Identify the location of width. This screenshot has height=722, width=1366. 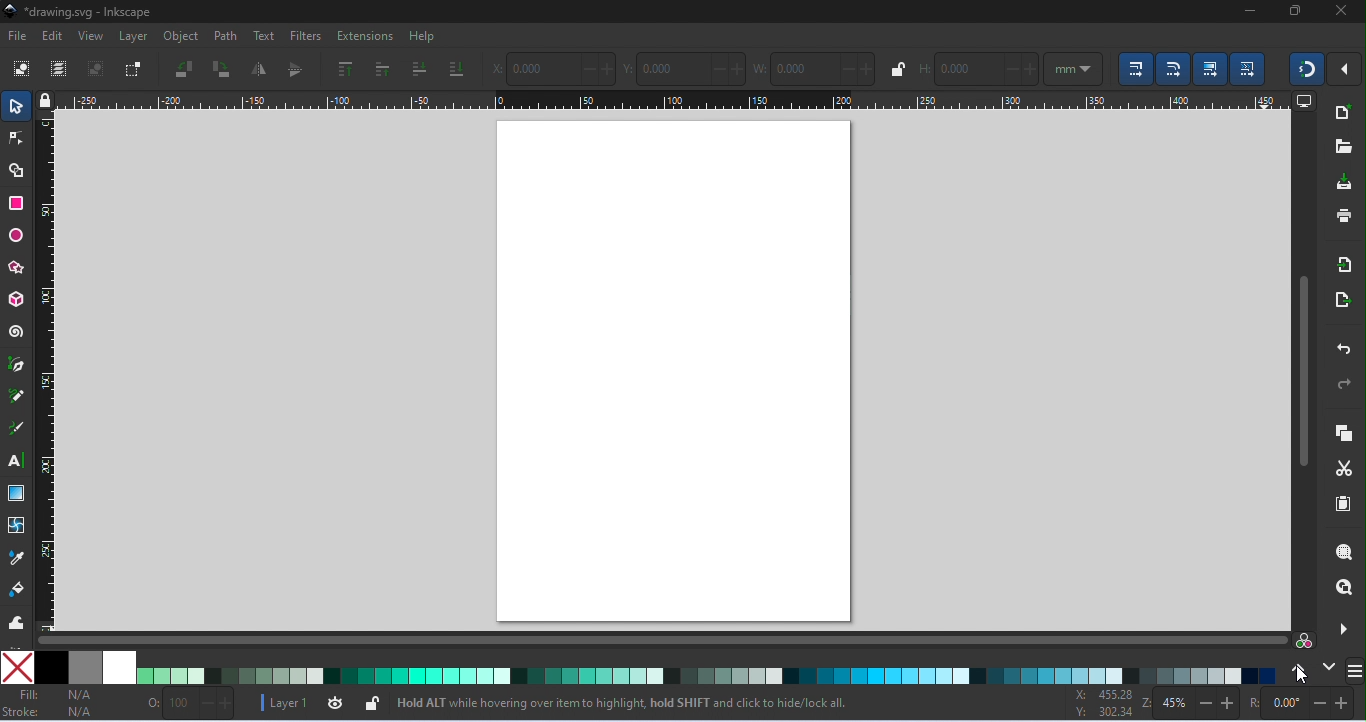
(814, 67).